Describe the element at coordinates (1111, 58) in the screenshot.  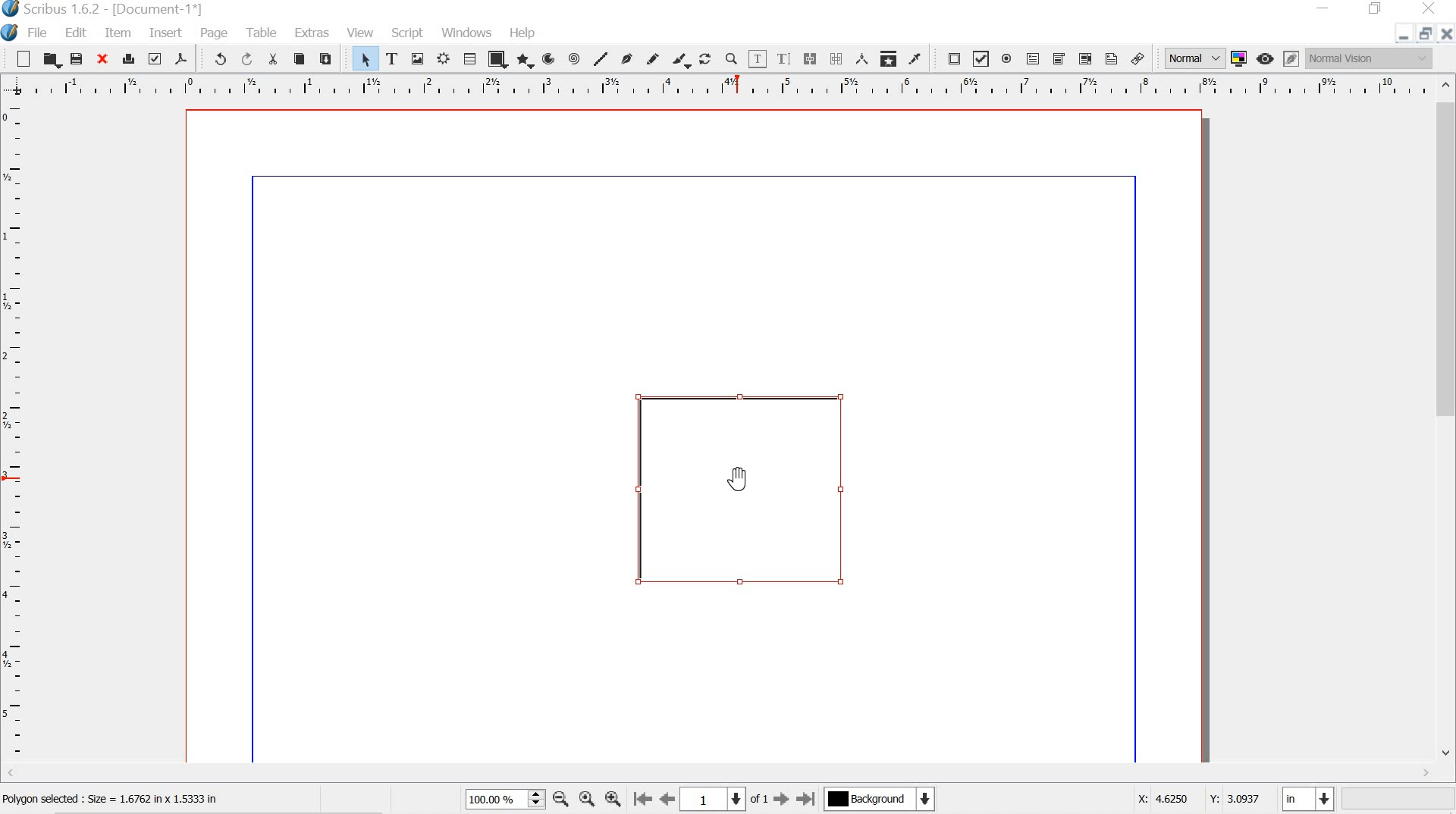
I see `text annotation` at that location.